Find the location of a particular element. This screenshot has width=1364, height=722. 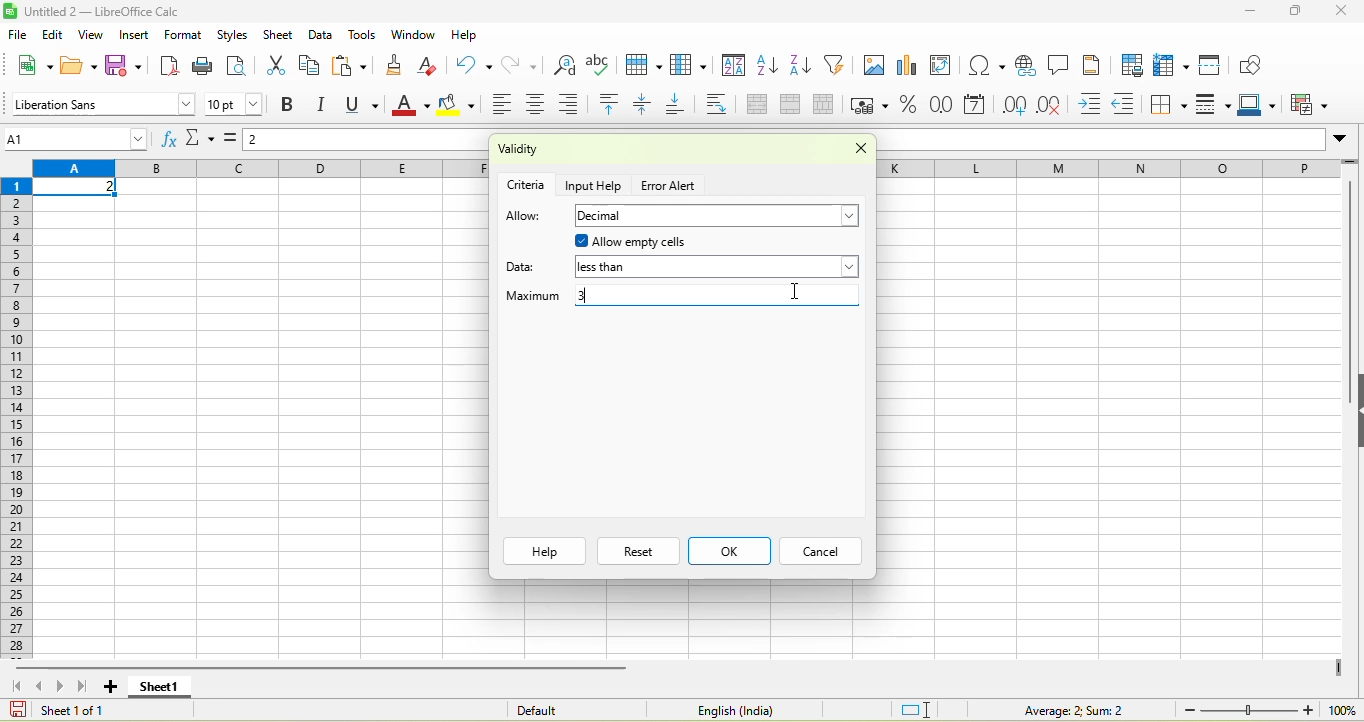

view is located at coordinates (94, 35).